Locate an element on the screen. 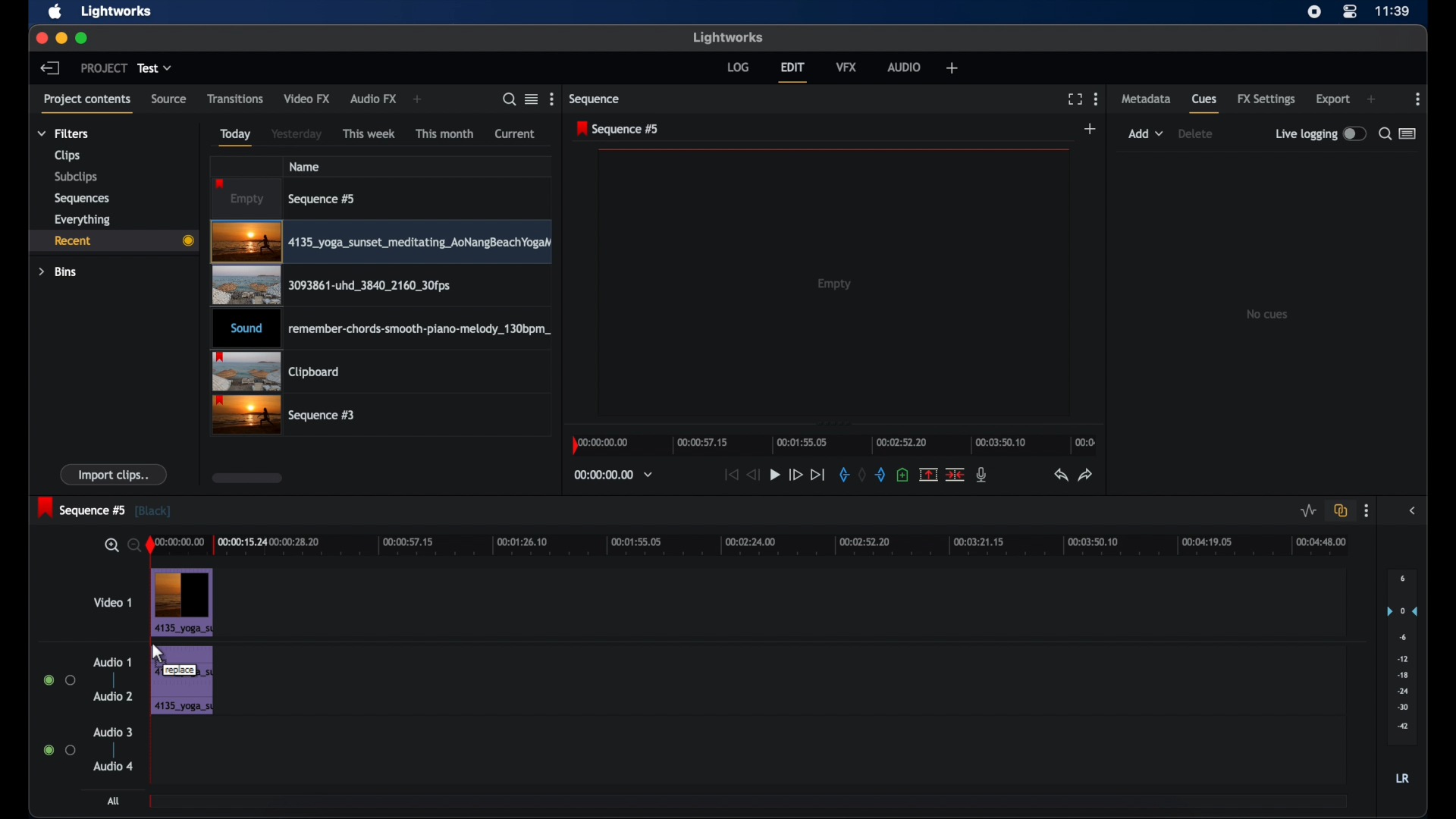  all is located at coordinates (113, 801).